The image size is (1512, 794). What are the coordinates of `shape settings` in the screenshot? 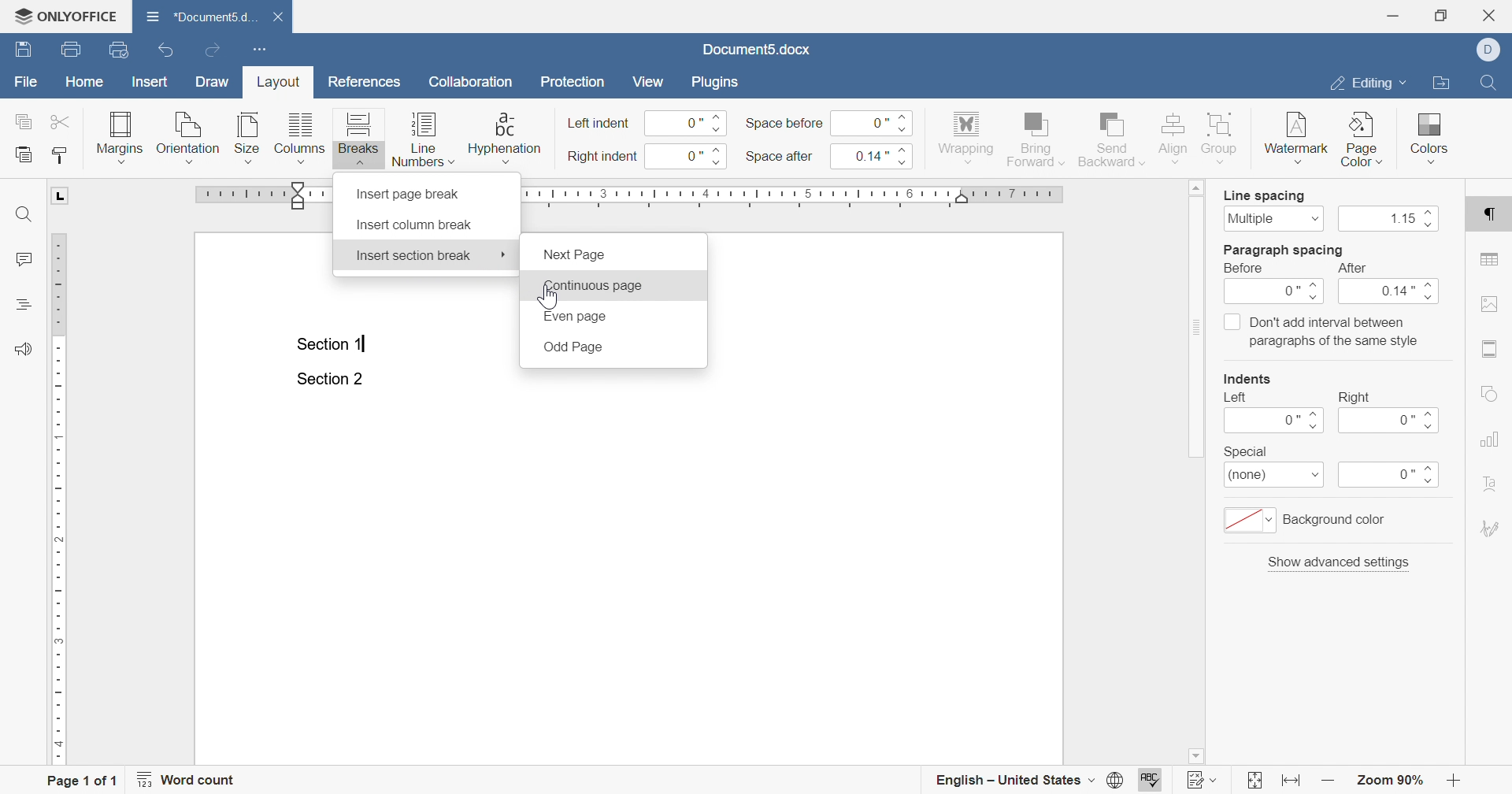 It's located at (1488, 393).